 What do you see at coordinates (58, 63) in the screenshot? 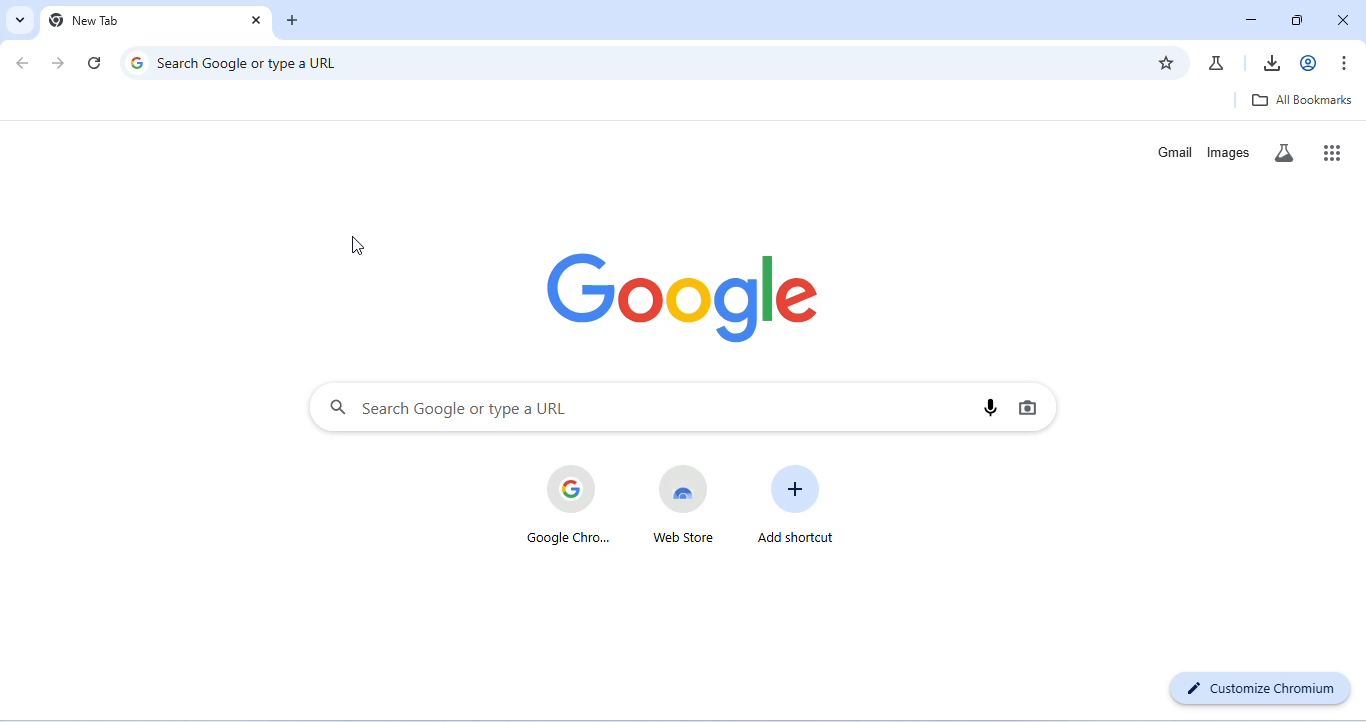
I see `go forward` at bounding box center [58, 63].